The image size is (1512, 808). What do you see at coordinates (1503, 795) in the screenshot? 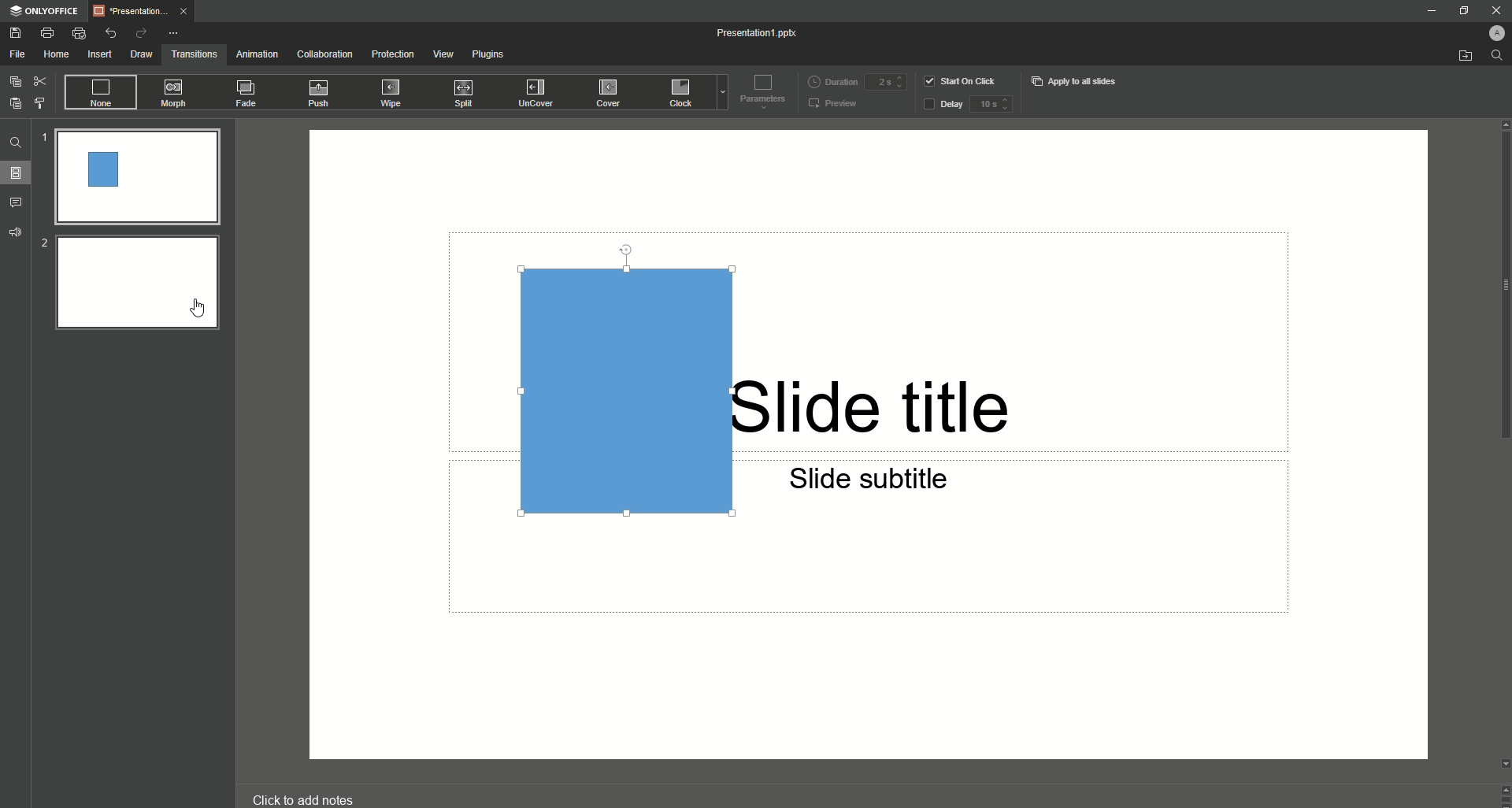
I see `Controls` at bounding box center [1503, 795].